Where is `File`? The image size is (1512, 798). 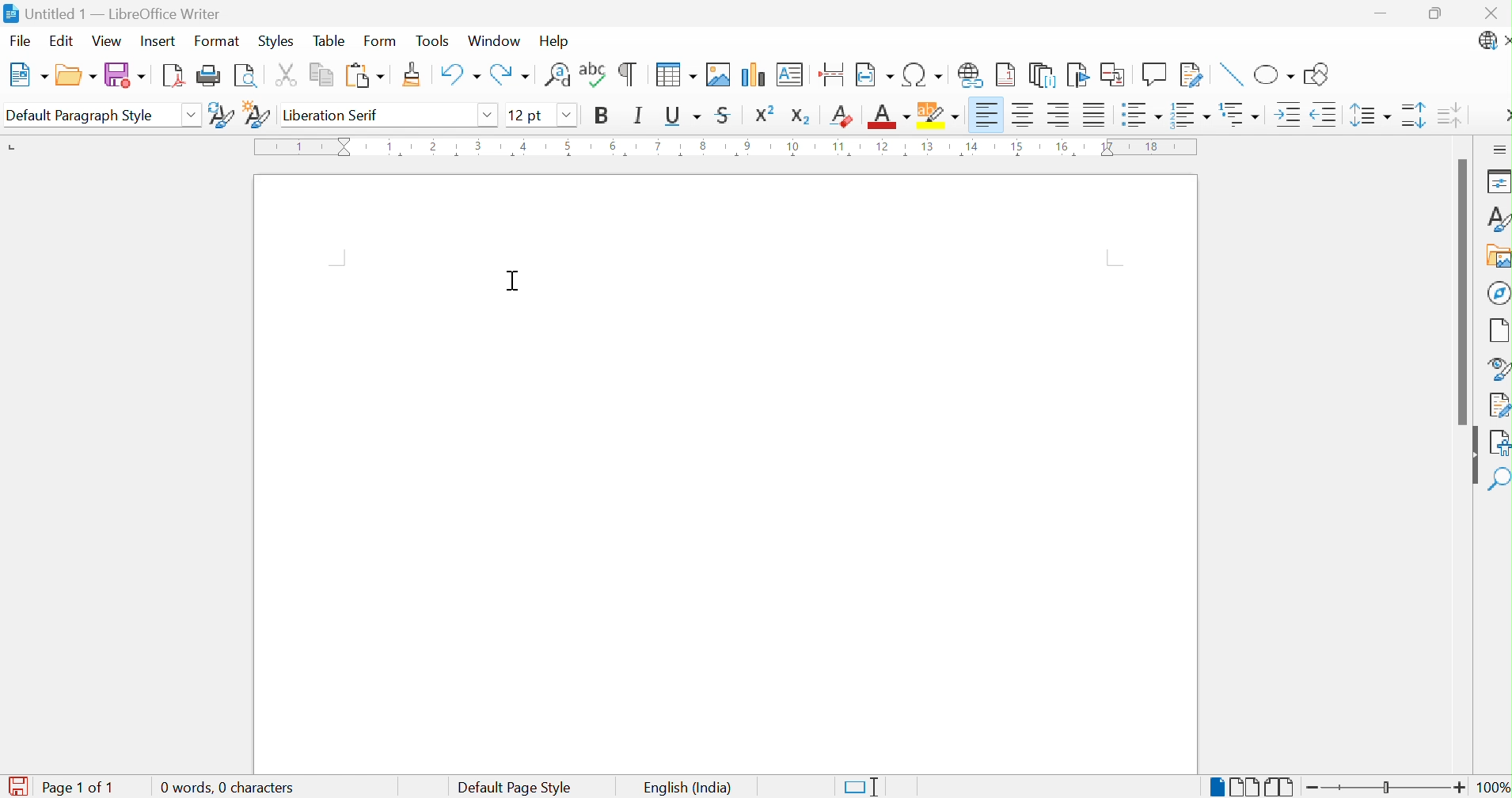 File is located at coordinates (21, 40).